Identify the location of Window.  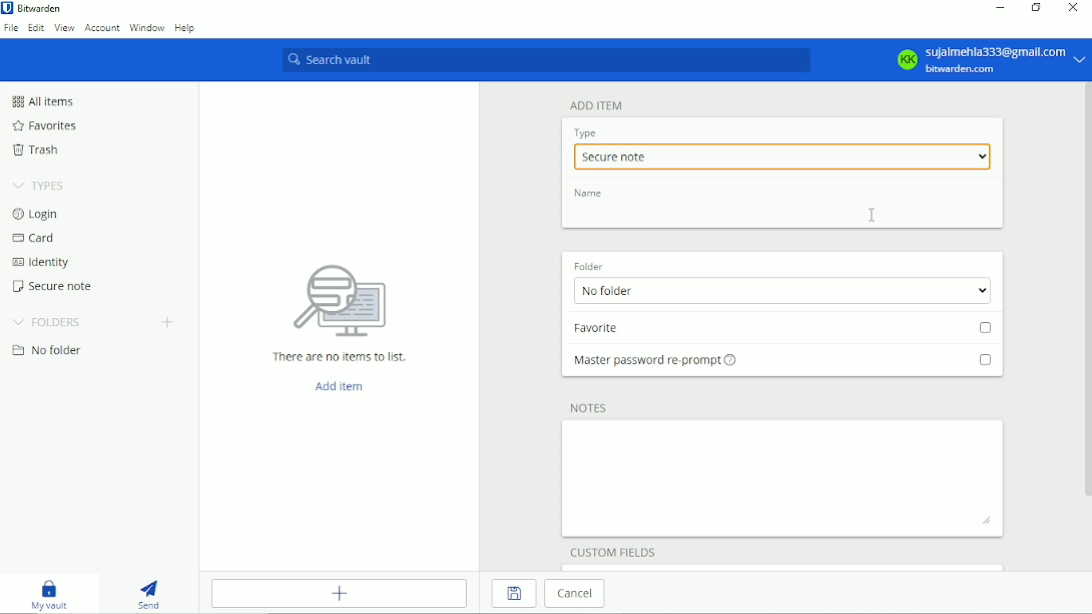
(147, 27).